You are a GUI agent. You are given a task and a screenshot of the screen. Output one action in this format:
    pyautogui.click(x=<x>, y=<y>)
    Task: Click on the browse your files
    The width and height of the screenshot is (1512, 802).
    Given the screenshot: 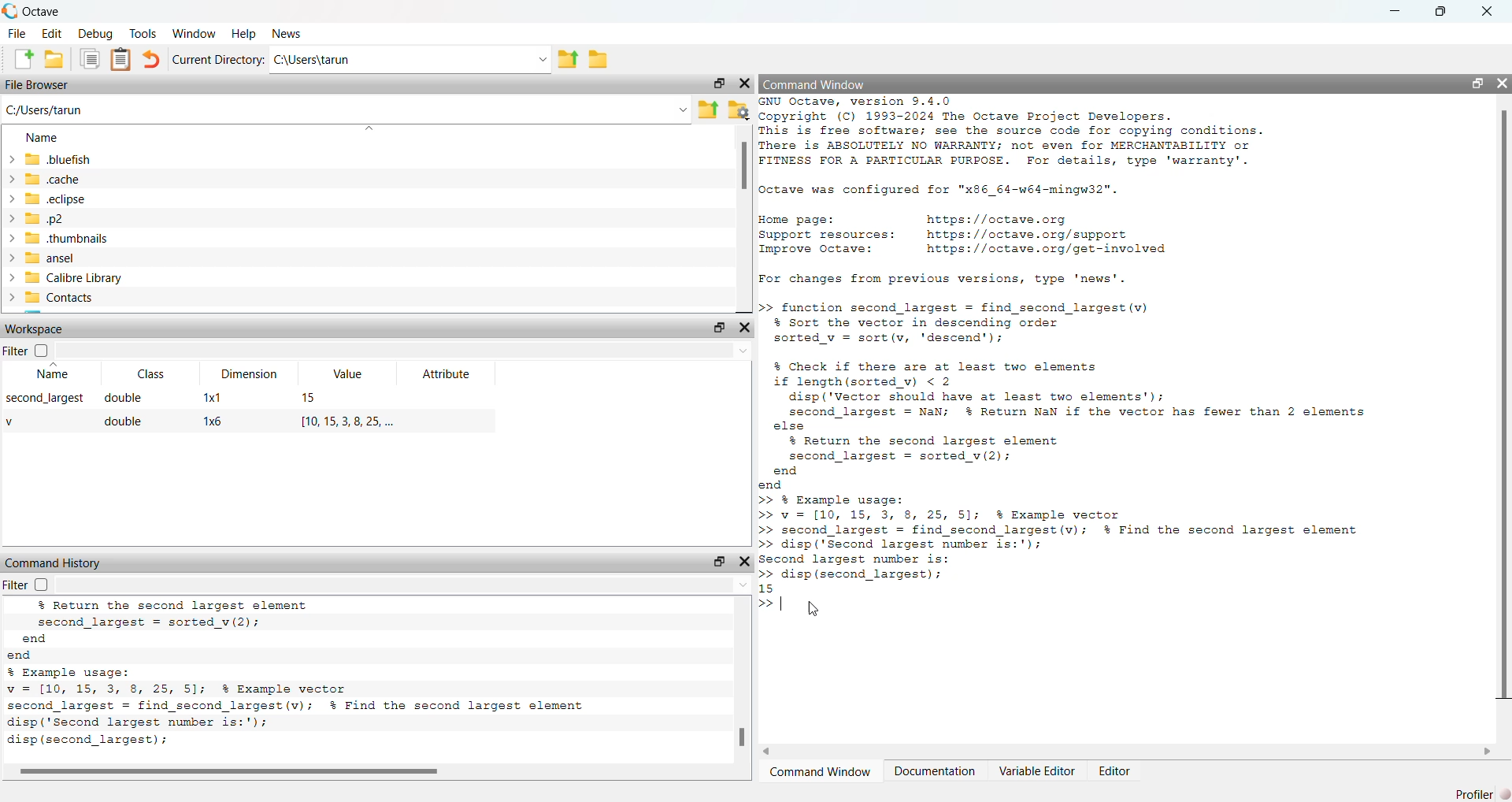 What is the action you would take?
    pyautogui.click(x=738, y=109)
    